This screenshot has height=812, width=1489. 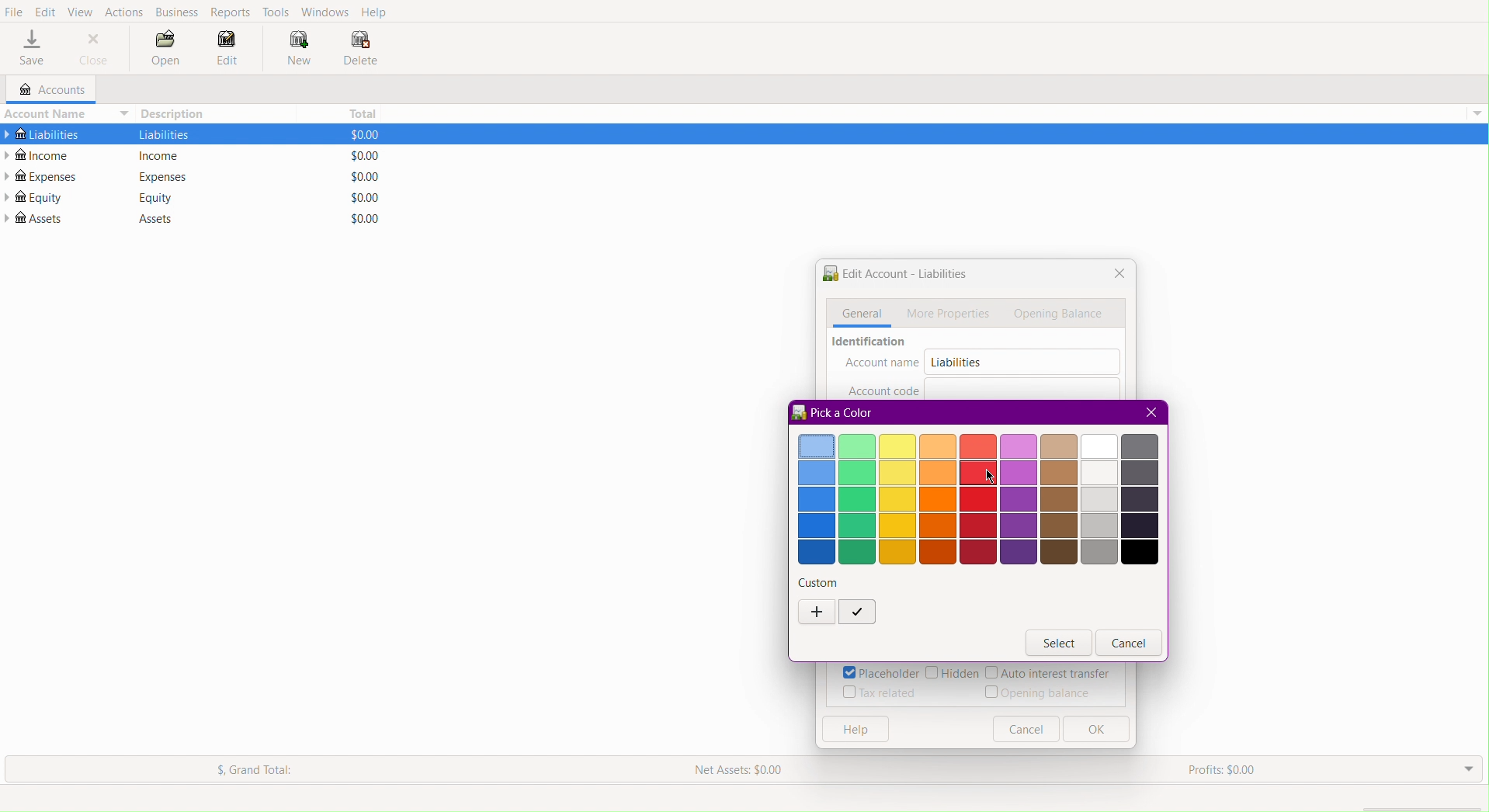 I want to click on Help, so click(x=853, y=730).